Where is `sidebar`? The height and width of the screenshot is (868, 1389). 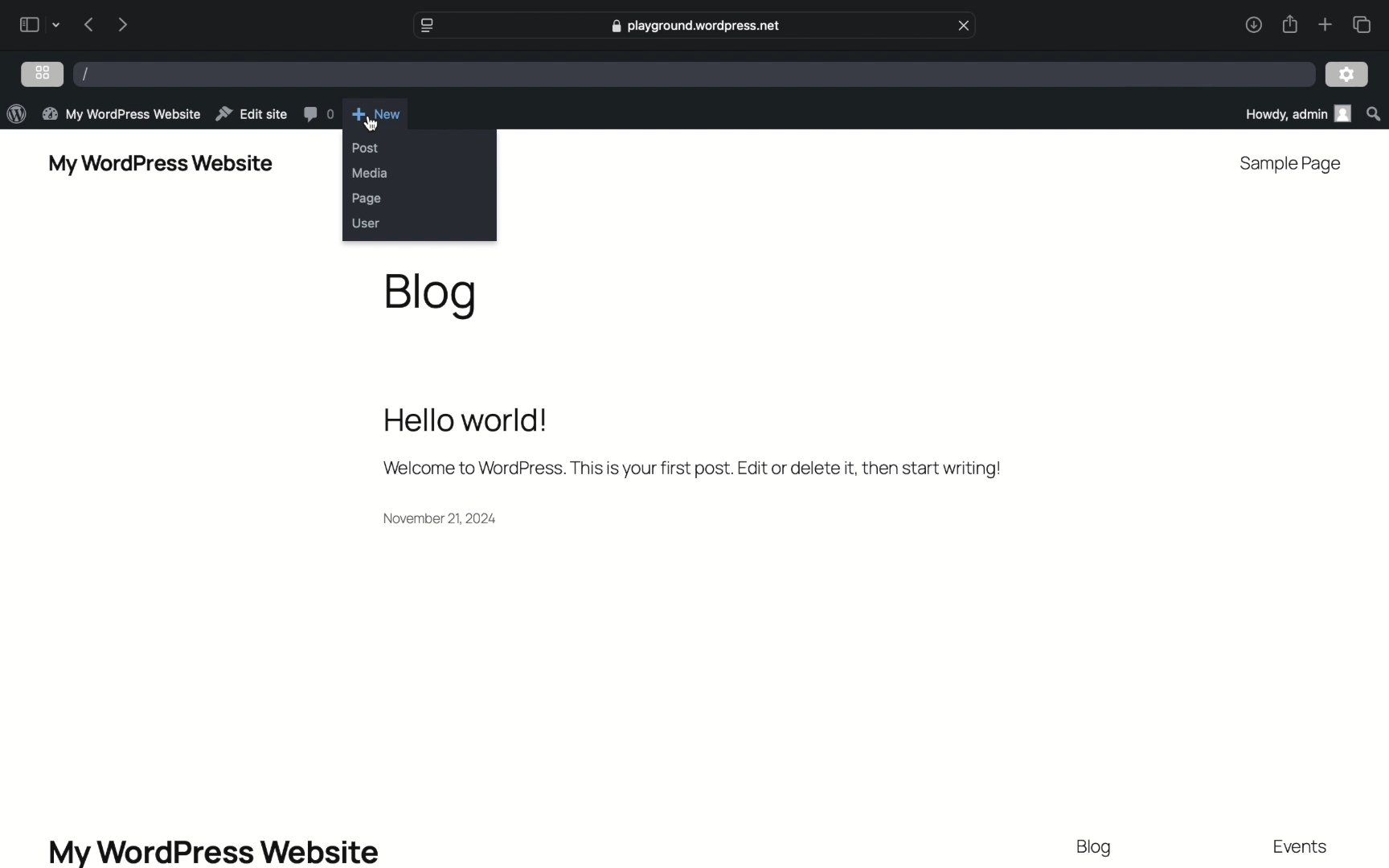 sidebar is located at coordinates (29, 24).